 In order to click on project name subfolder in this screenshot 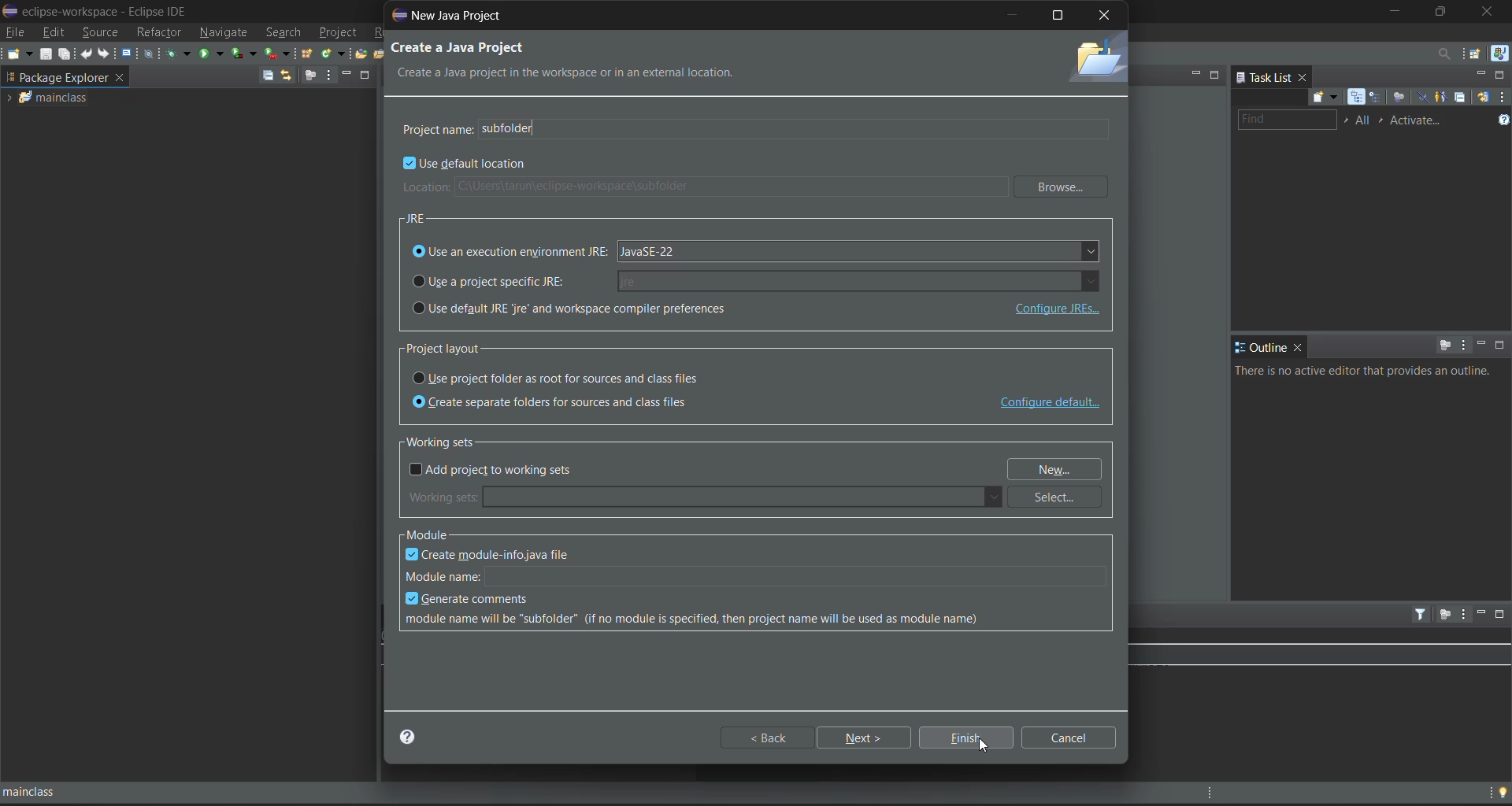, I will do `click(755, 127)`.